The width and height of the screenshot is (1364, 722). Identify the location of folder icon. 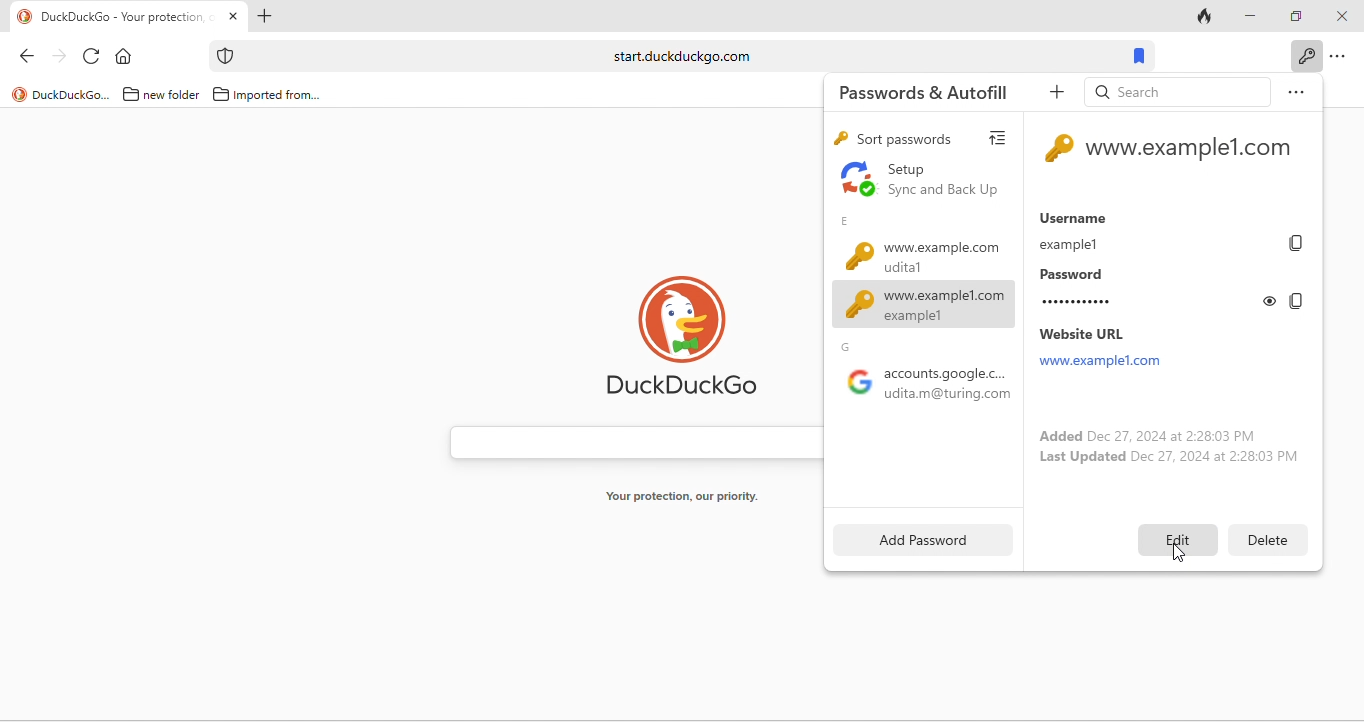
(131, 94).